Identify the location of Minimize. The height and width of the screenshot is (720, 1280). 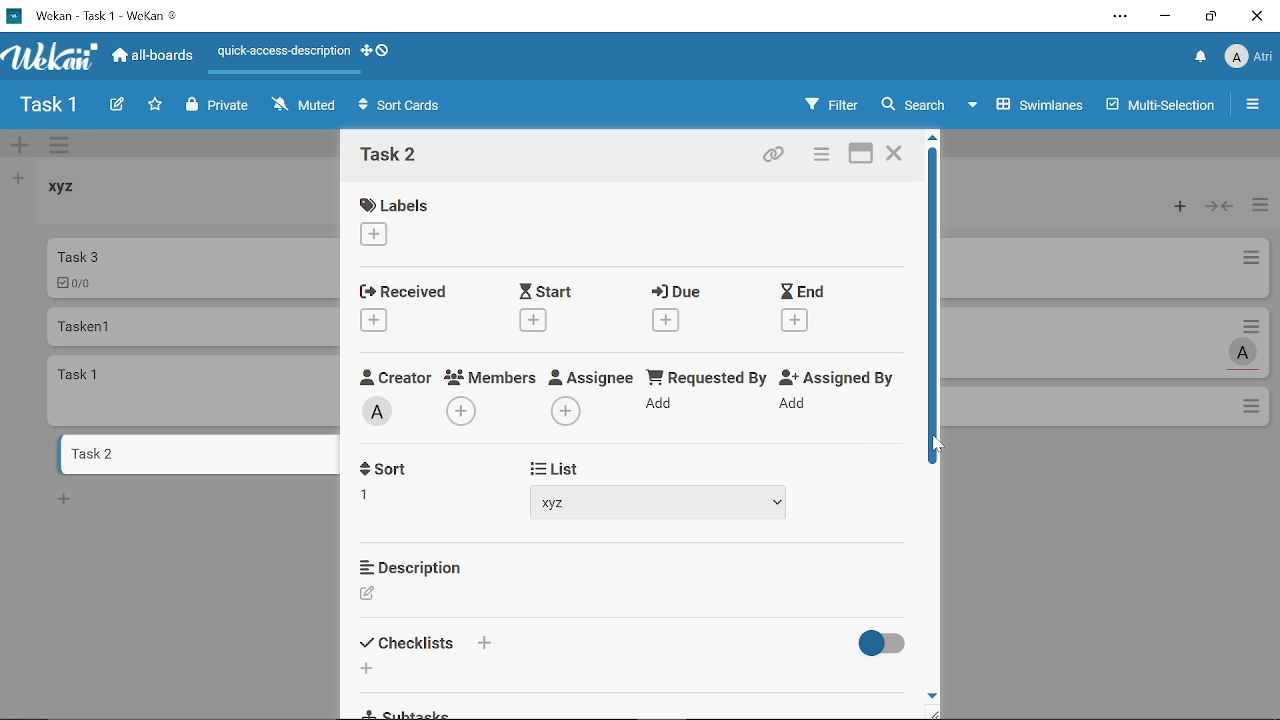
(1166, 19).